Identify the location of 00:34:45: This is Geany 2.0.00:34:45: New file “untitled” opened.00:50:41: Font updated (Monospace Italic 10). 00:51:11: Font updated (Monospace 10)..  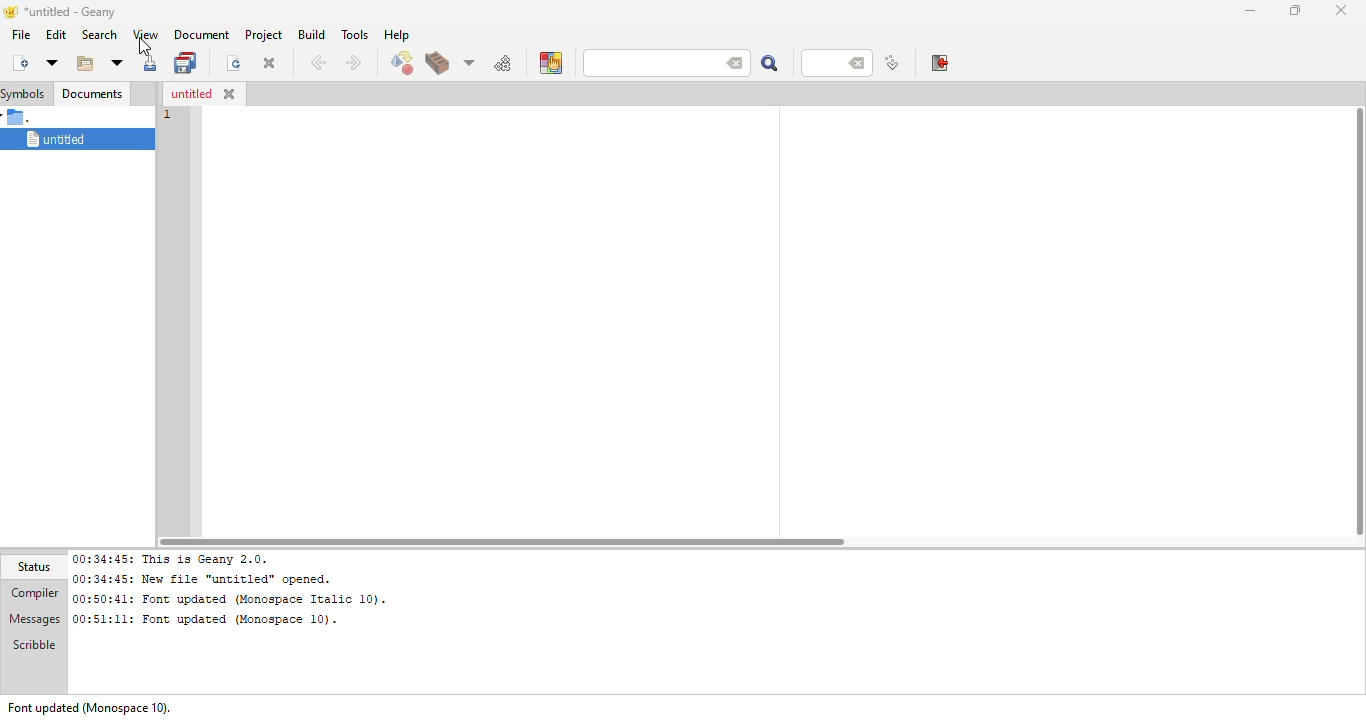
(237, 590).